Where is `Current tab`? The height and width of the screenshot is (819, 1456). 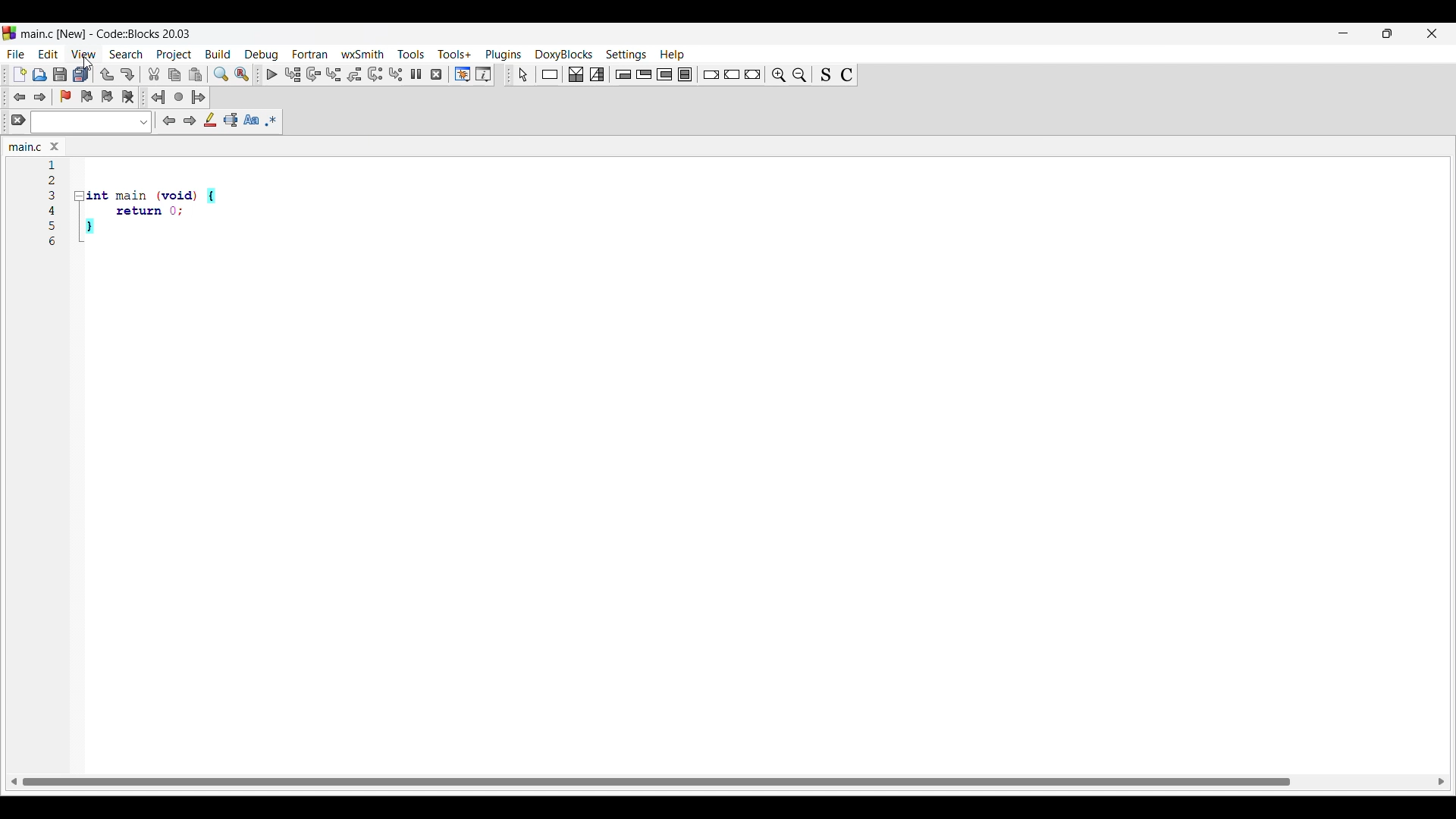 Current tab is located at coordinates (20, 147).